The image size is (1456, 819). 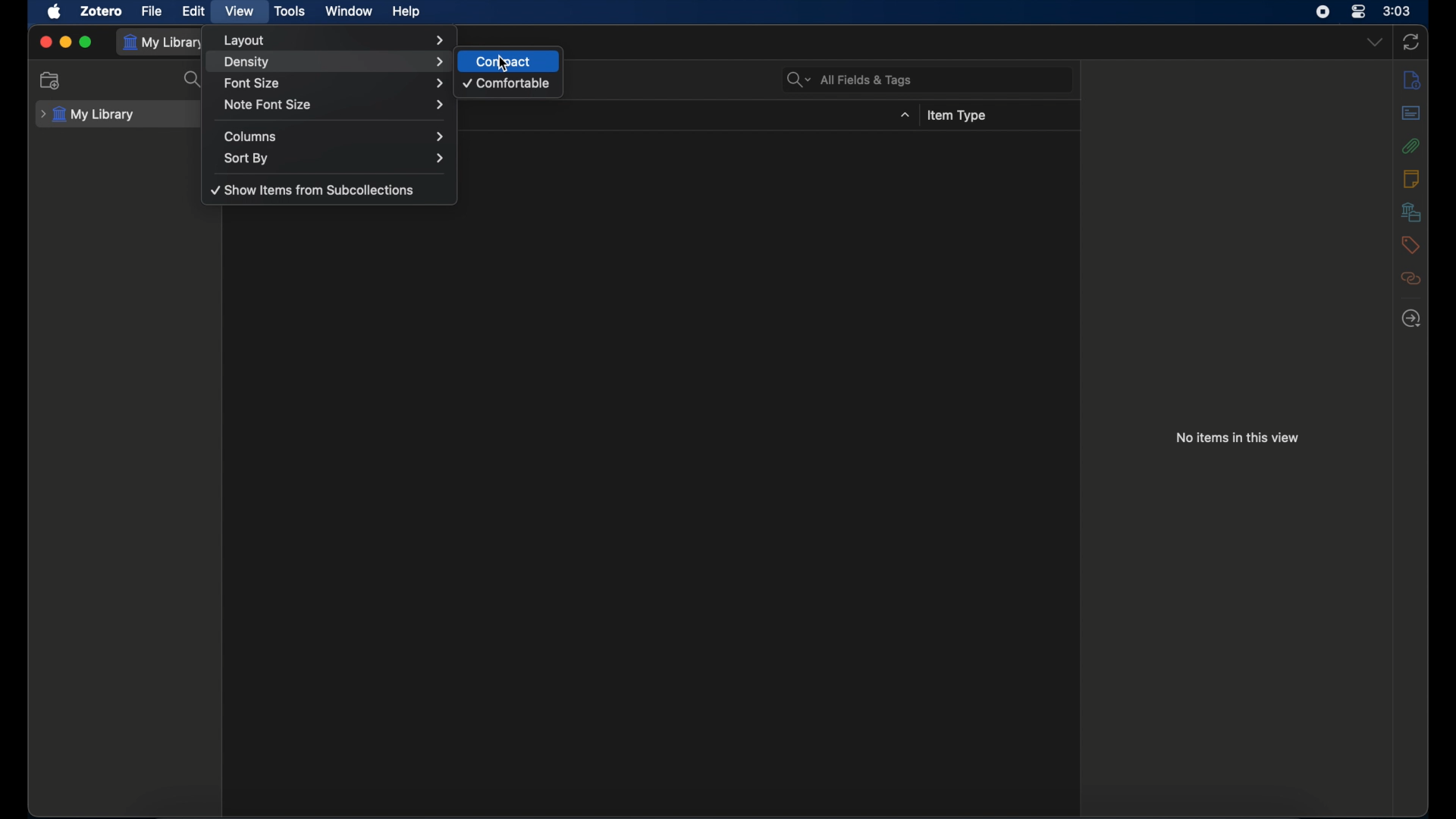 I want to click on note font size, so click(x=335, y=104).